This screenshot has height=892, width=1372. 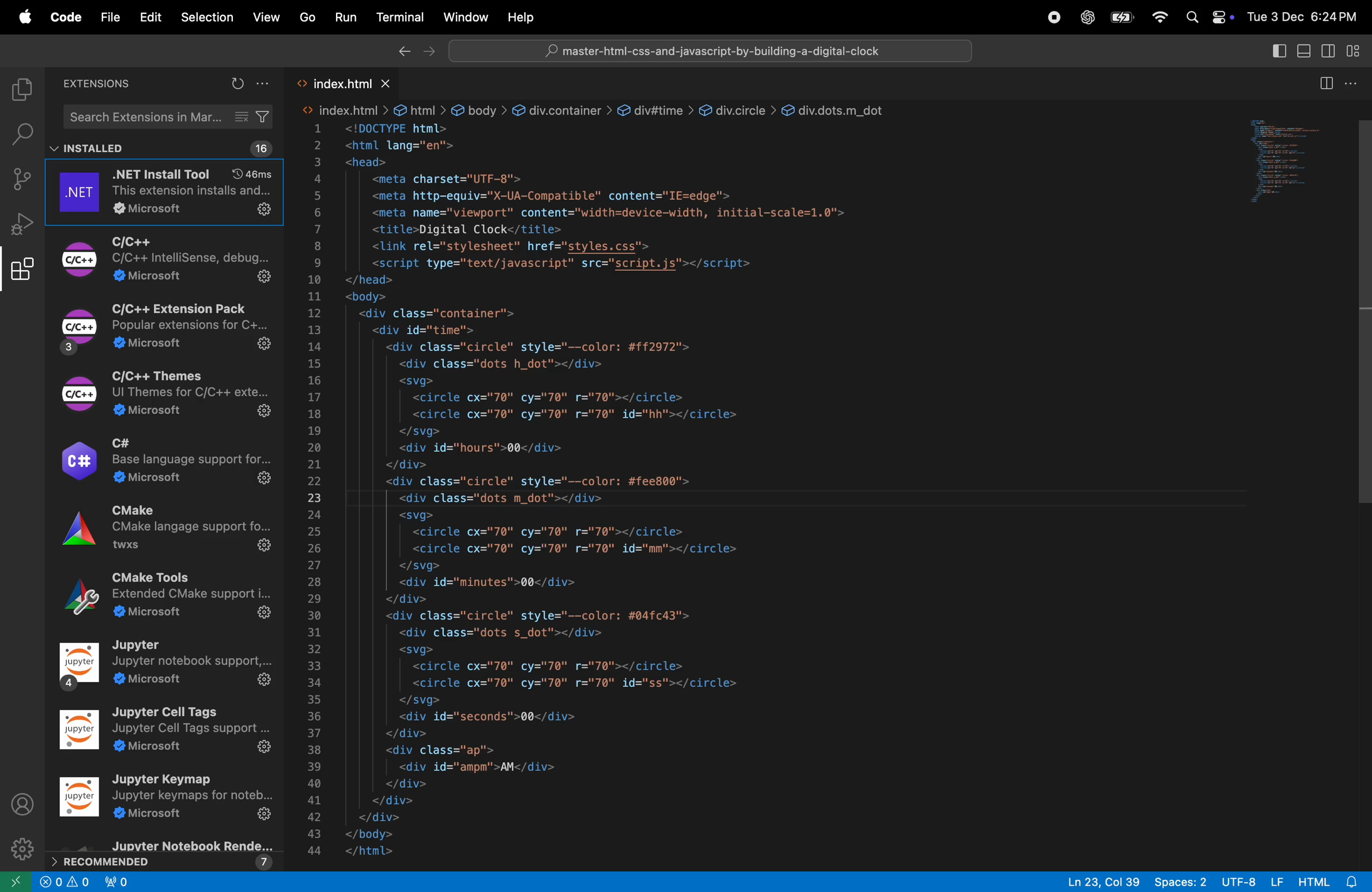 What do you see at coordinates (554, 108) in the screenshot?
I see `div.container` at bounding box center [554, 108].